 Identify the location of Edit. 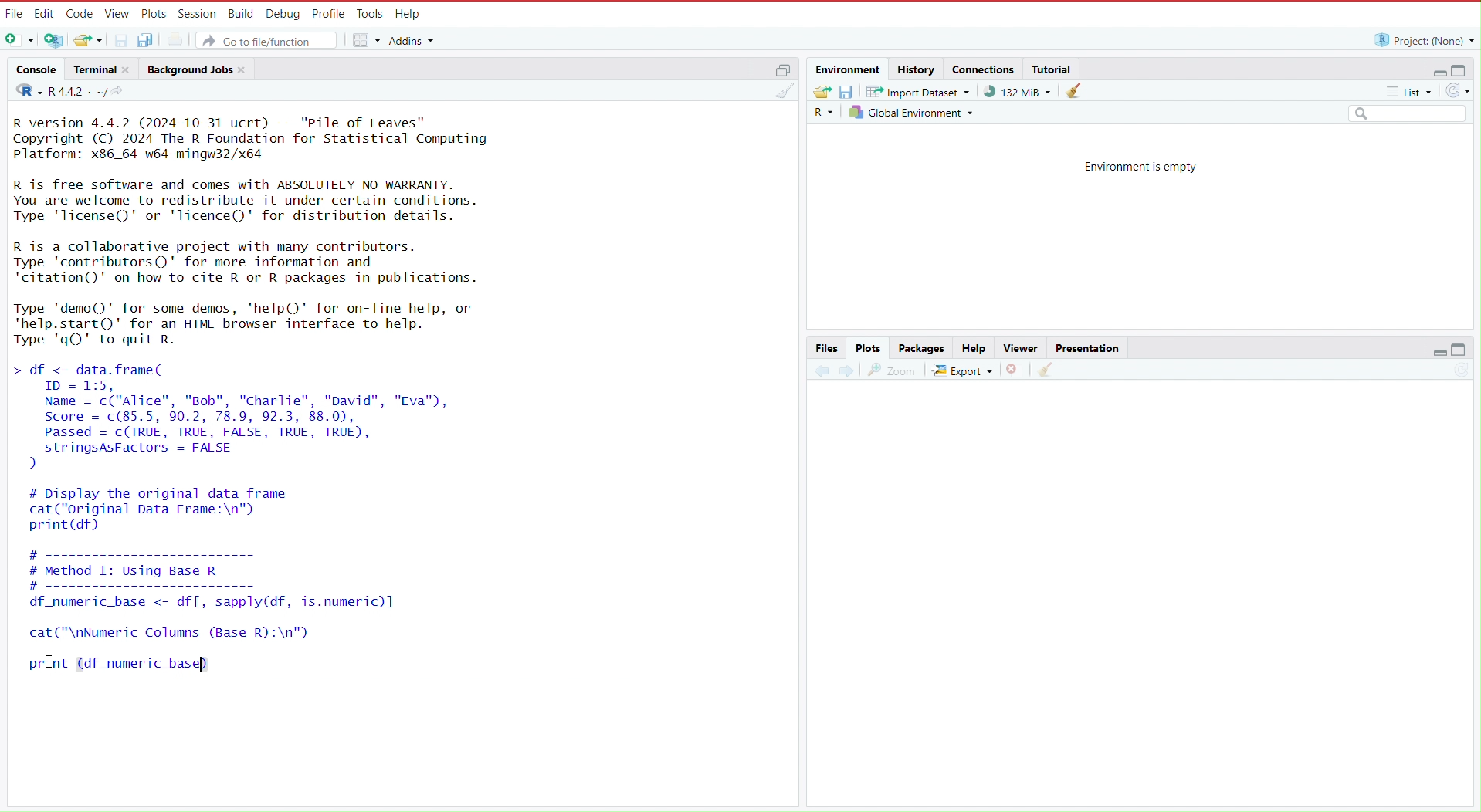
(44, 11).